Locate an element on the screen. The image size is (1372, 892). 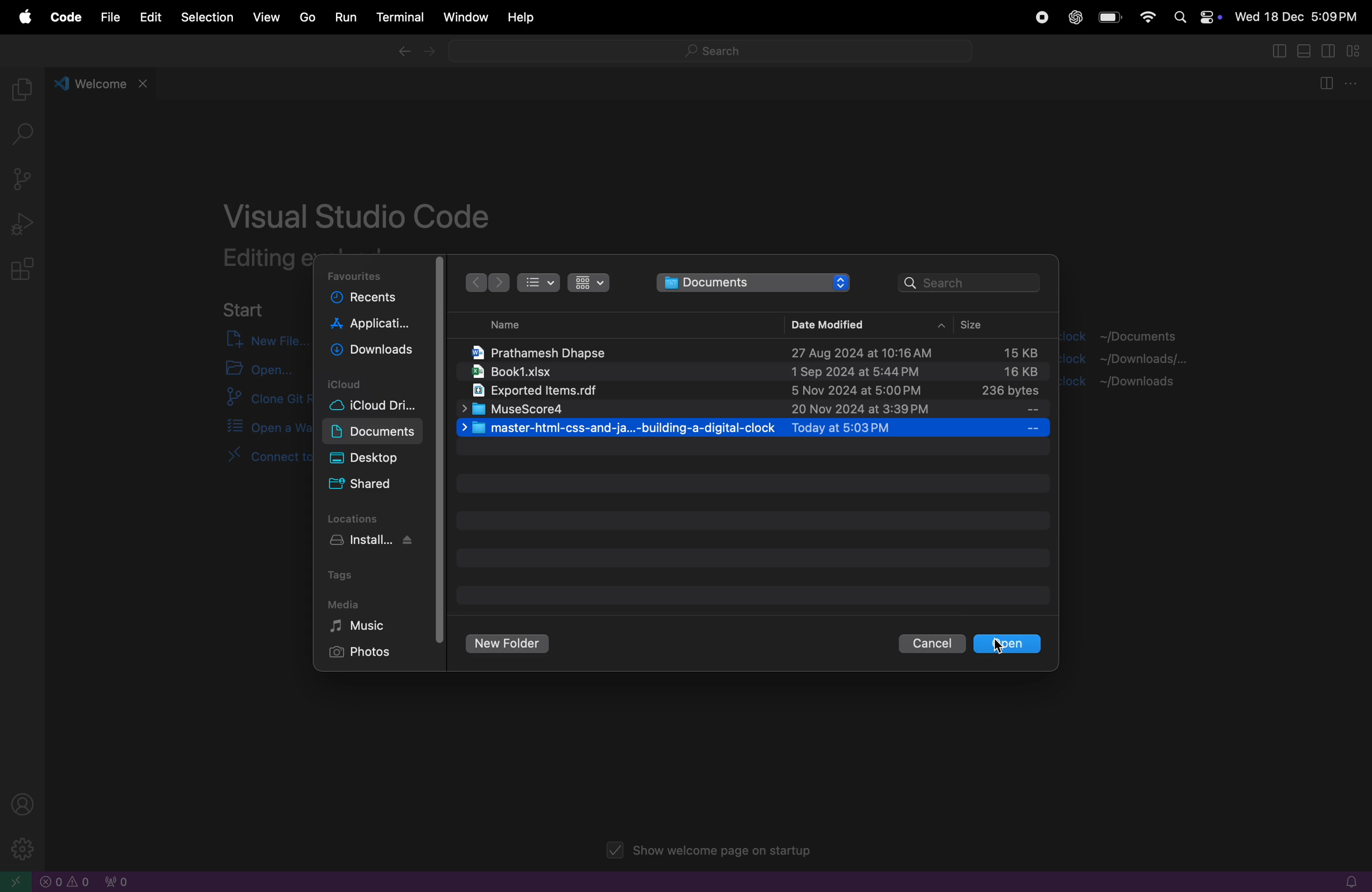
run and debug is located at coordinates (24, 224).